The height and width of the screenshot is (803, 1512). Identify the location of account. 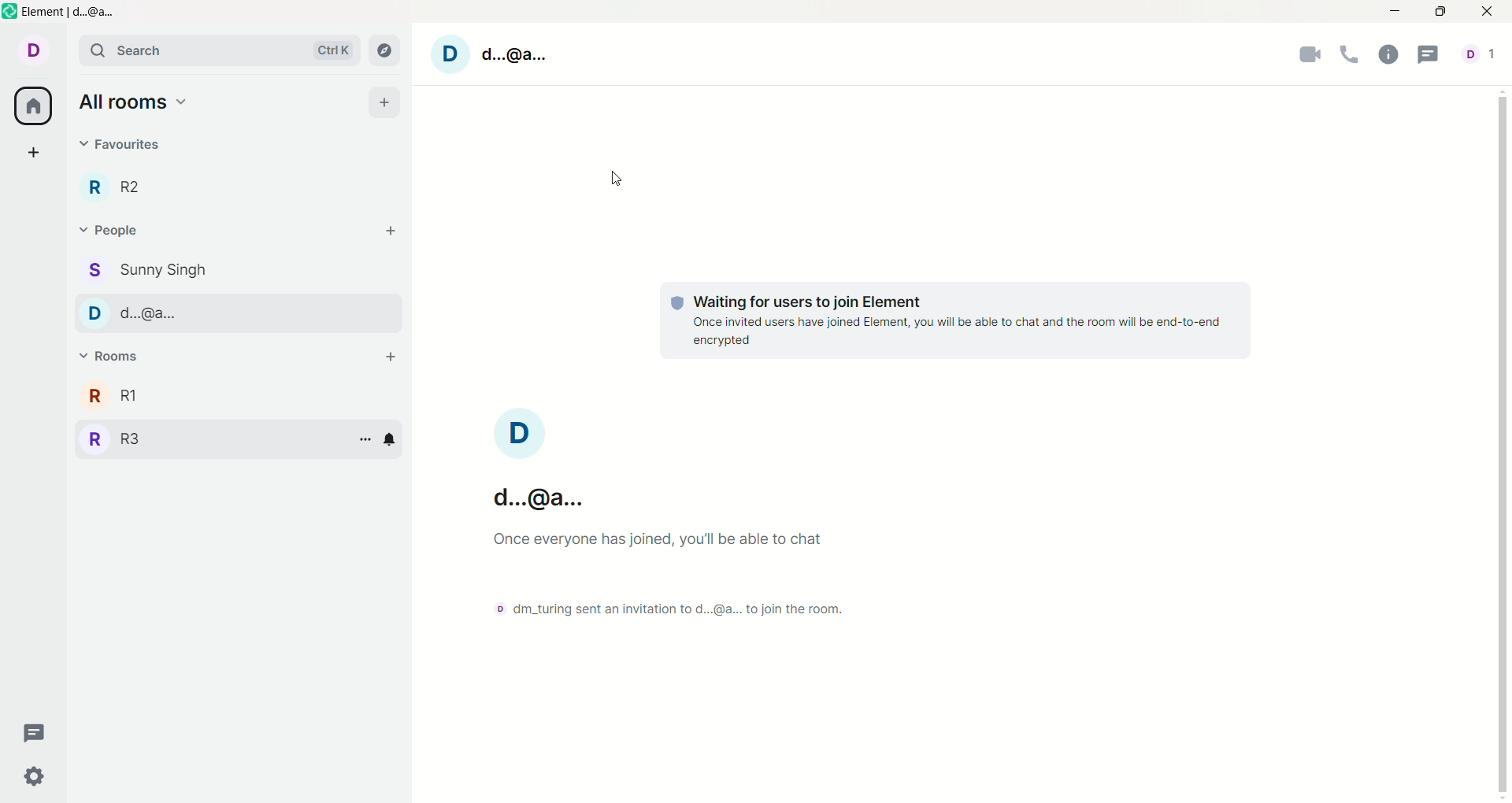
(32, 50).